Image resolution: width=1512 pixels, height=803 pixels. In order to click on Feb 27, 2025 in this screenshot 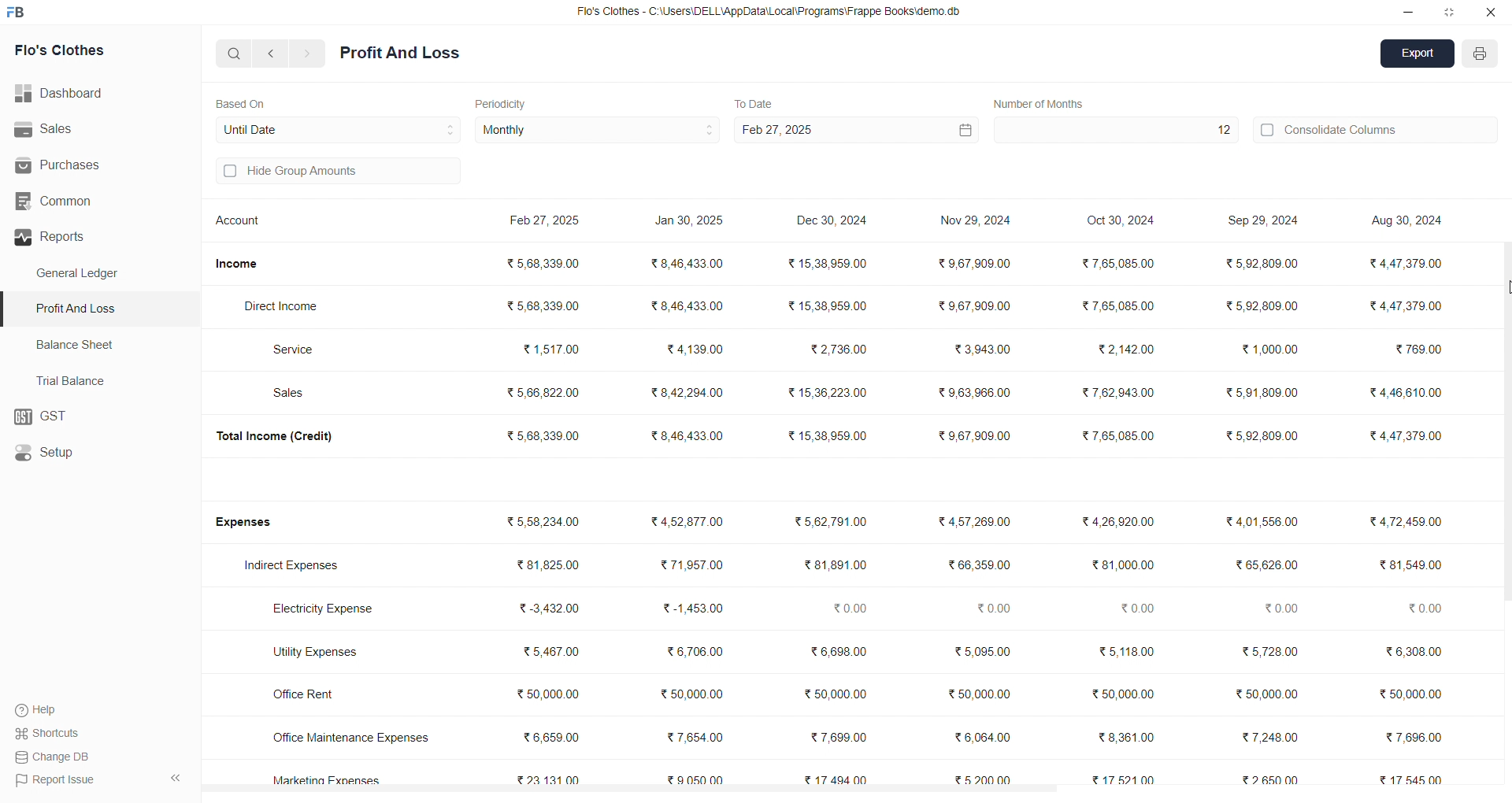, I will do `click(854, 130)`.